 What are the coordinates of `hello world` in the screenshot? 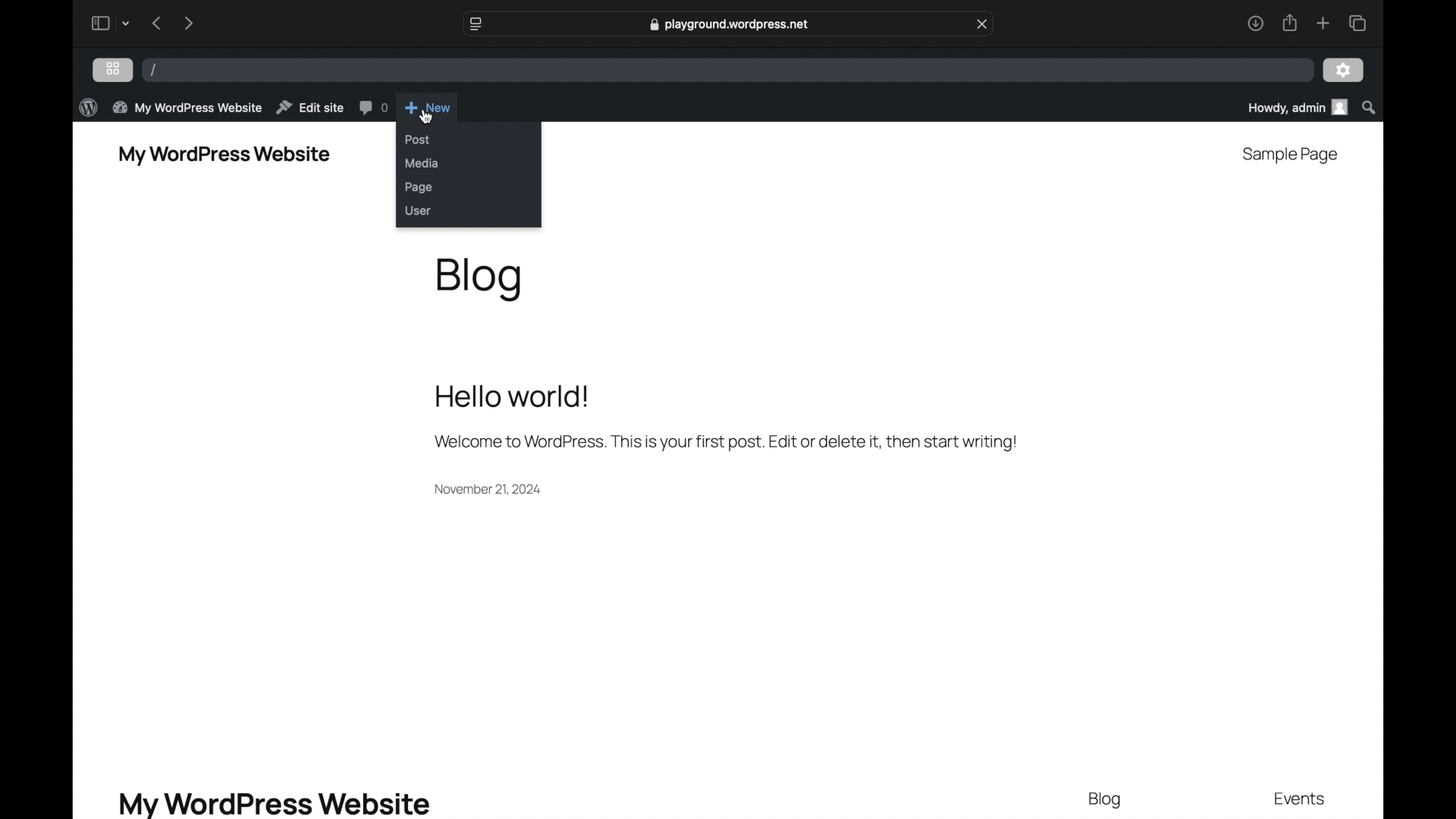 It's located at (513, 397).